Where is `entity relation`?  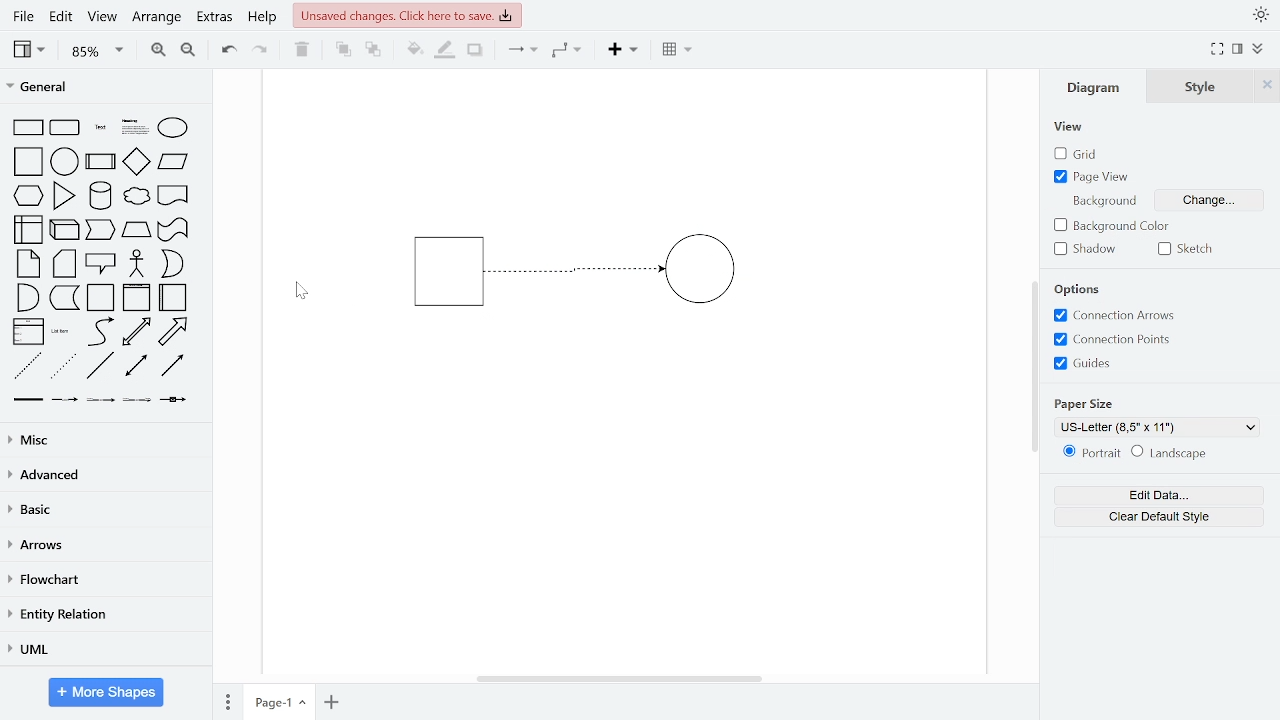 entity relation is located at coordinates (102, 616).